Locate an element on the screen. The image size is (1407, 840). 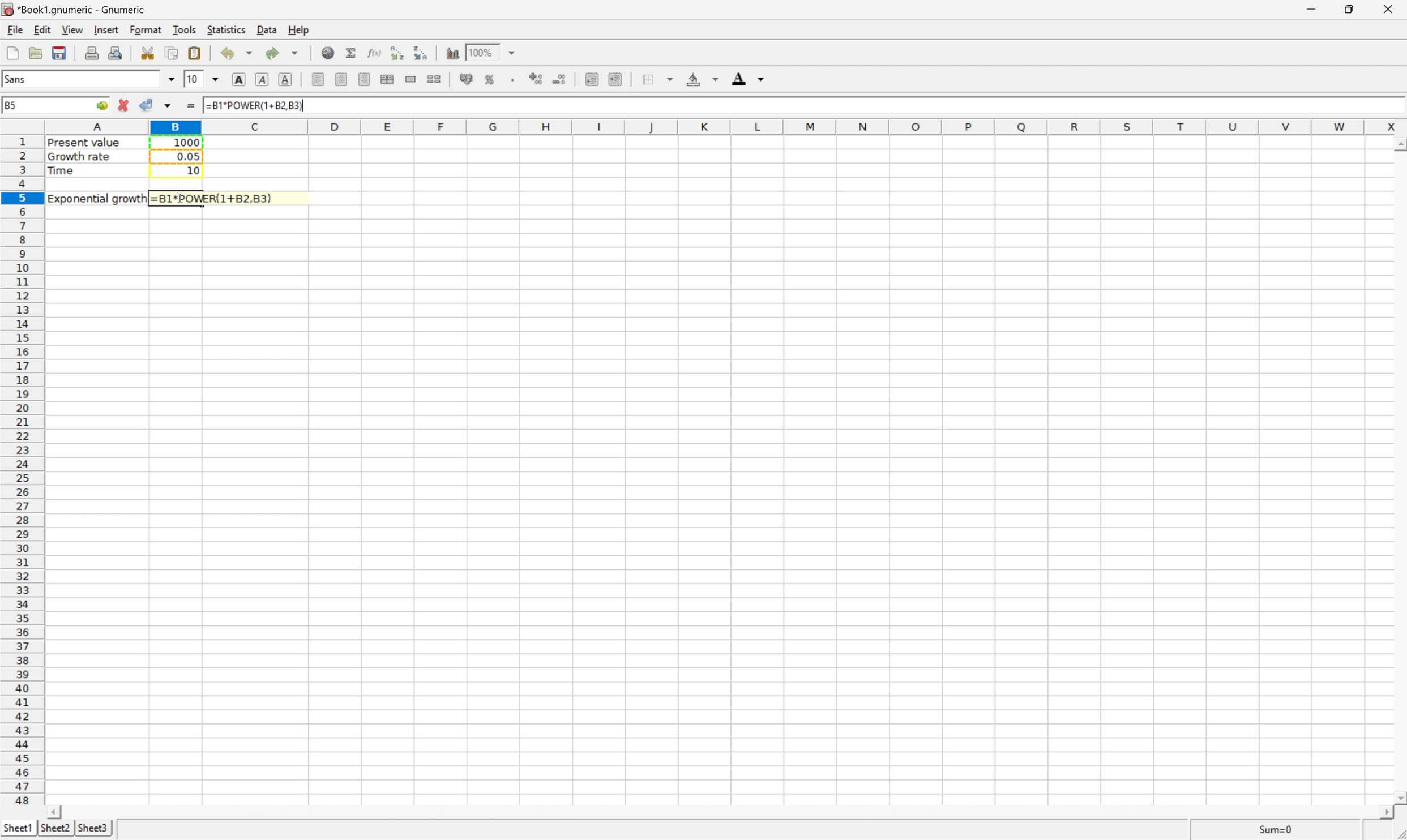
B5 is located at coordinates (16, 106).